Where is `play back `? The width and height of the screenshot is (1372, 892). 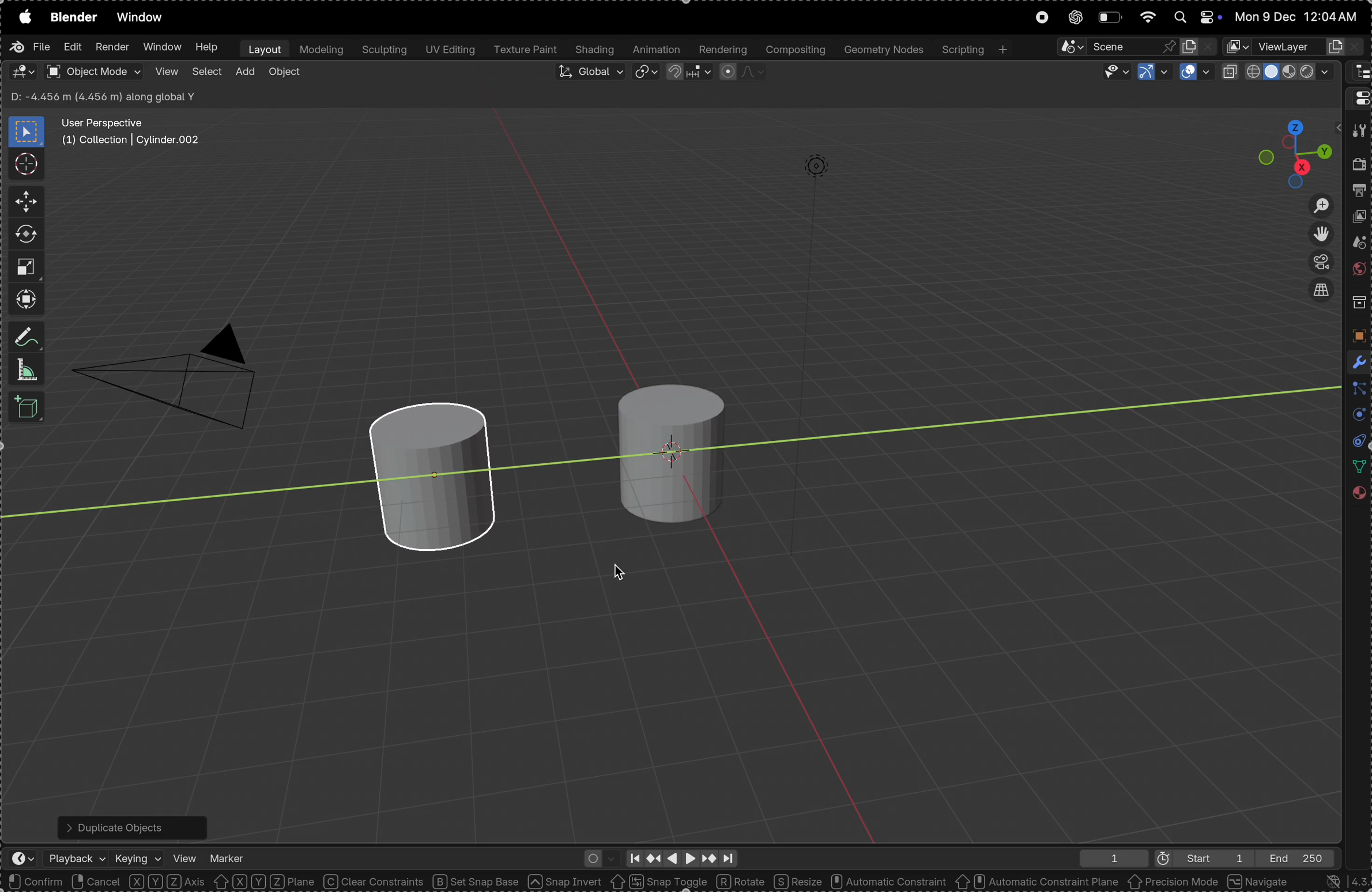 play back  is located at coordinates (77, 858).